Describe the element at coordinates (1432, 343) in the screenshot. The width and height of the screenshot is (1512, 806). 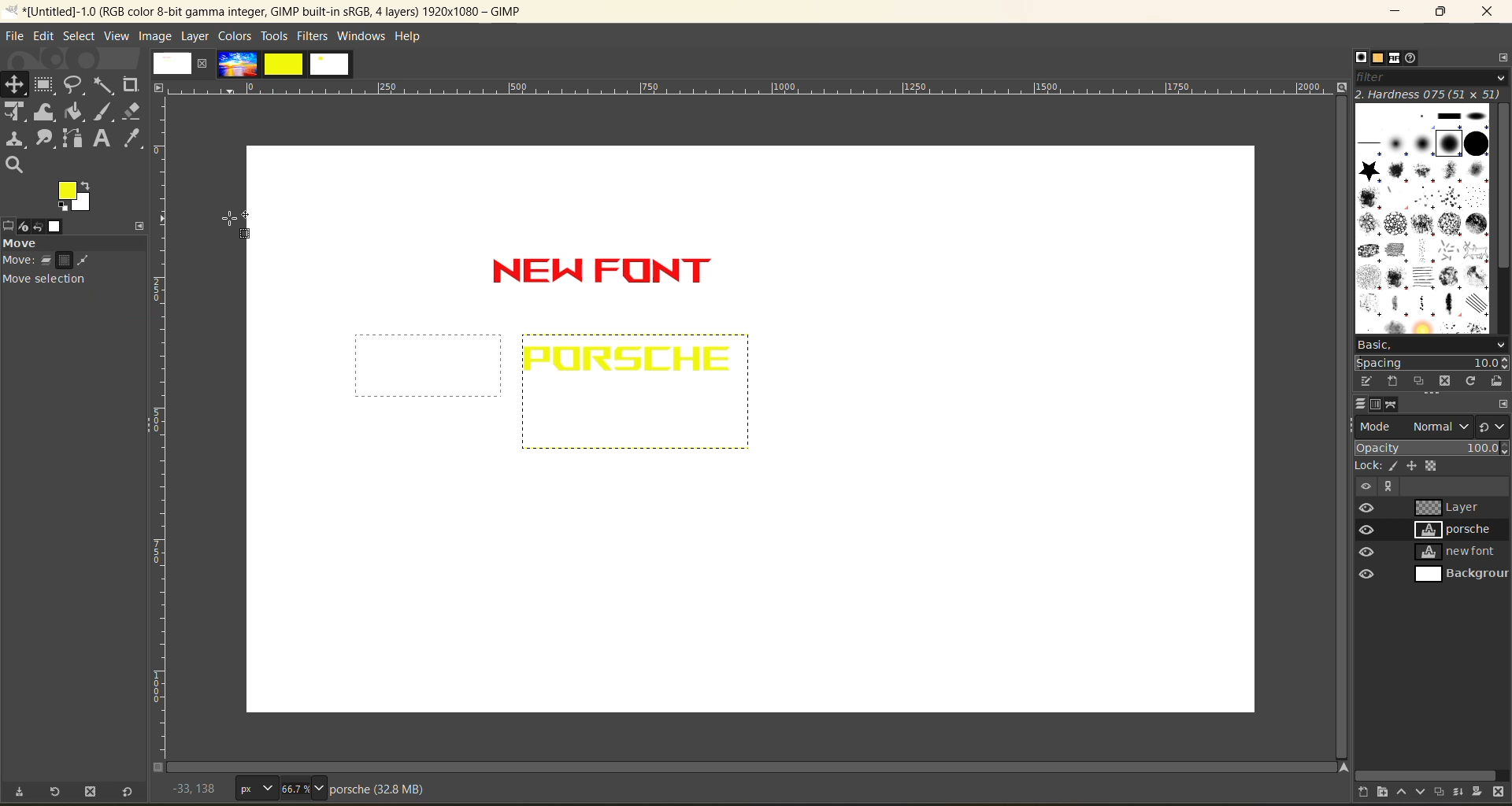
I see `basic` at that location.